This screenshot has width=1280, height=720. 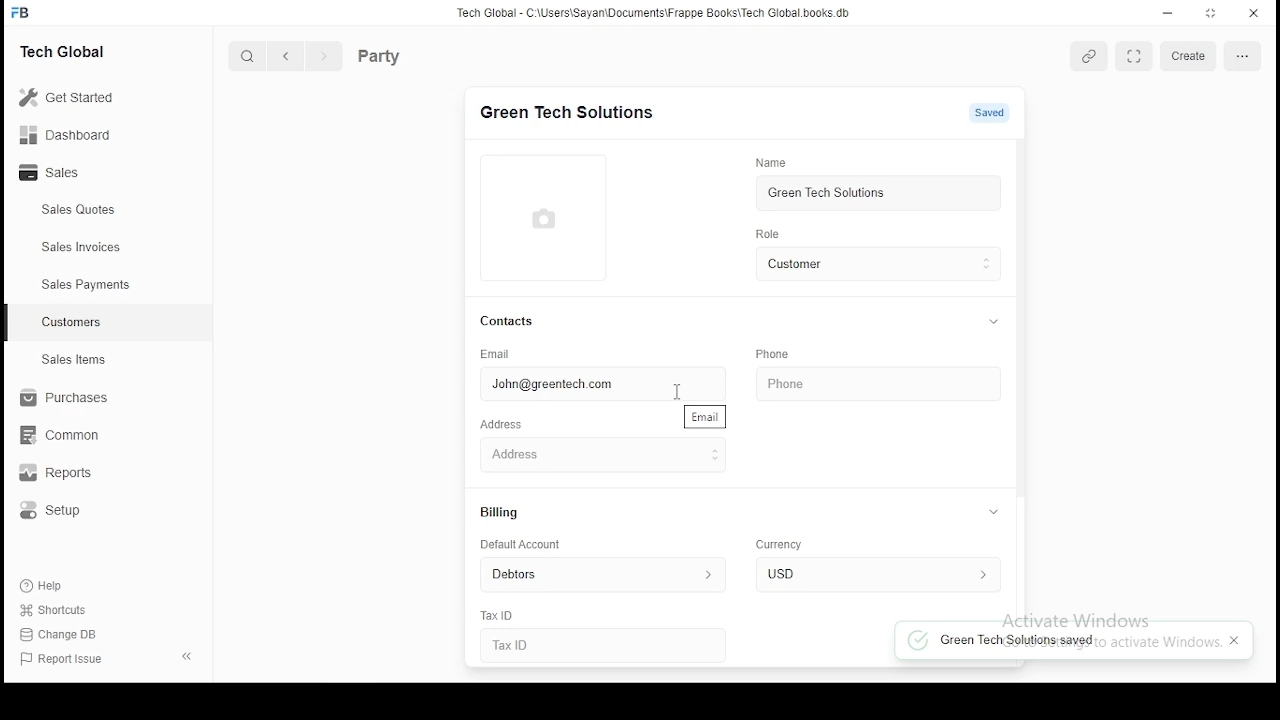 What do you see at coordinates (539, 645) in the screenshot?
I see `Tax ID` at bounding box center [539, 645].